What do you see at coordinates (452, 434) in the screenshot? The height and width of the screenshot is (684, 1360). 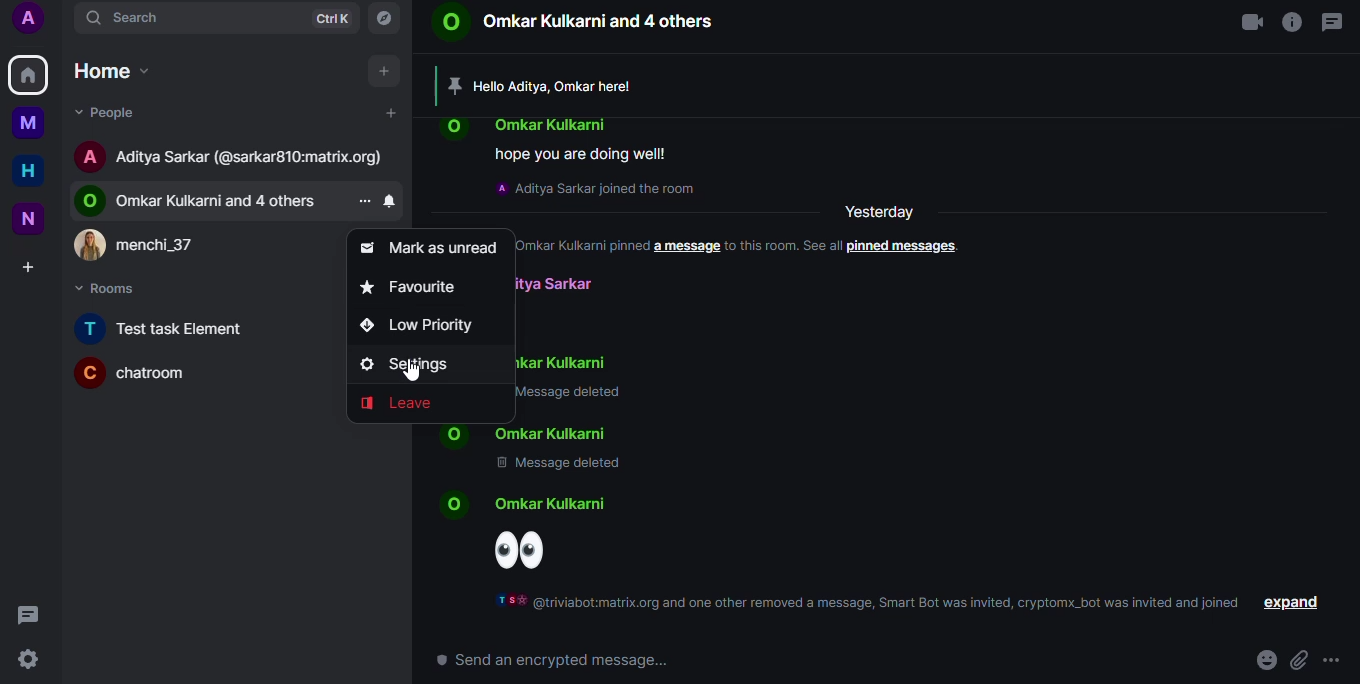 I see `o` at bounding box center [452, 434].